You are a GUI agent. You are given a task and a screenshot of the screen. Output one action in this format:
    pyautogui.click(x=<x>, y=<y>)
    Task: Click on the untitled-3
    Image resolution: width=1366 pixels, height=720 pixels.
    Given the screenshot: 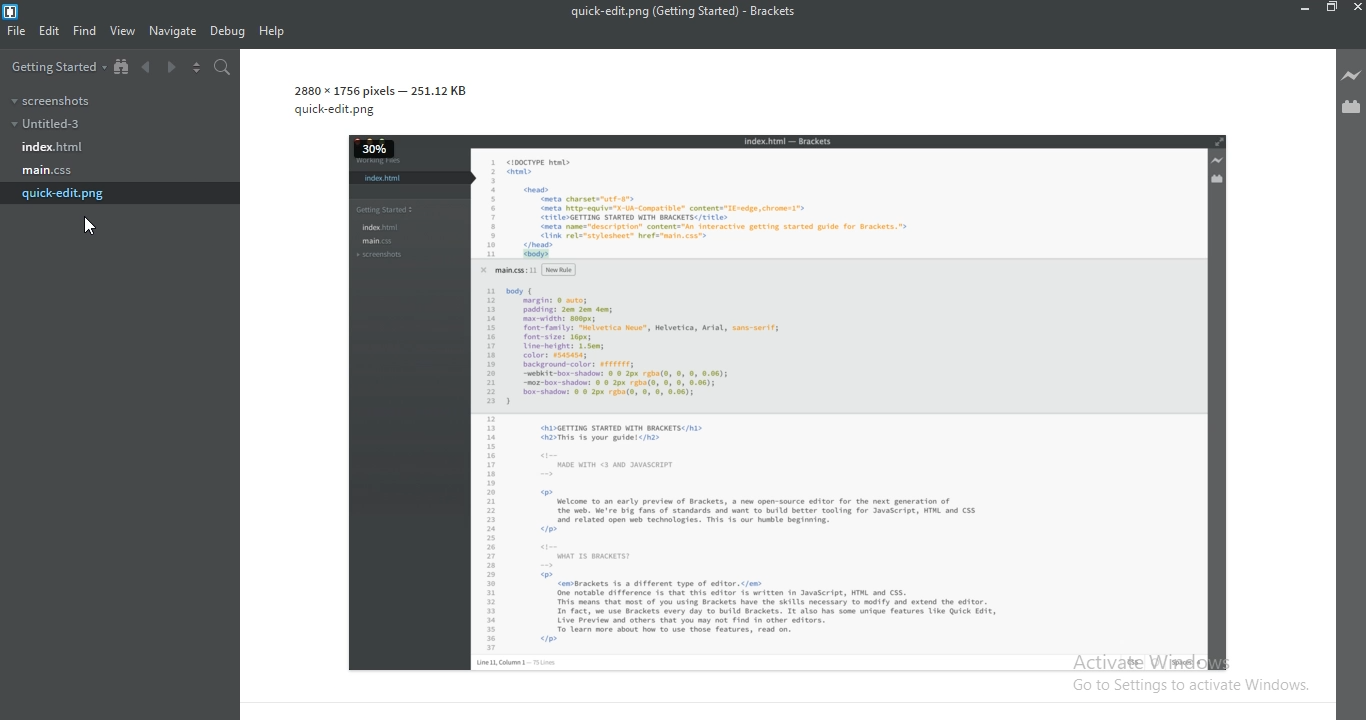 What is the action you would take?
    pyautogui.click(x=45, y=123)
    